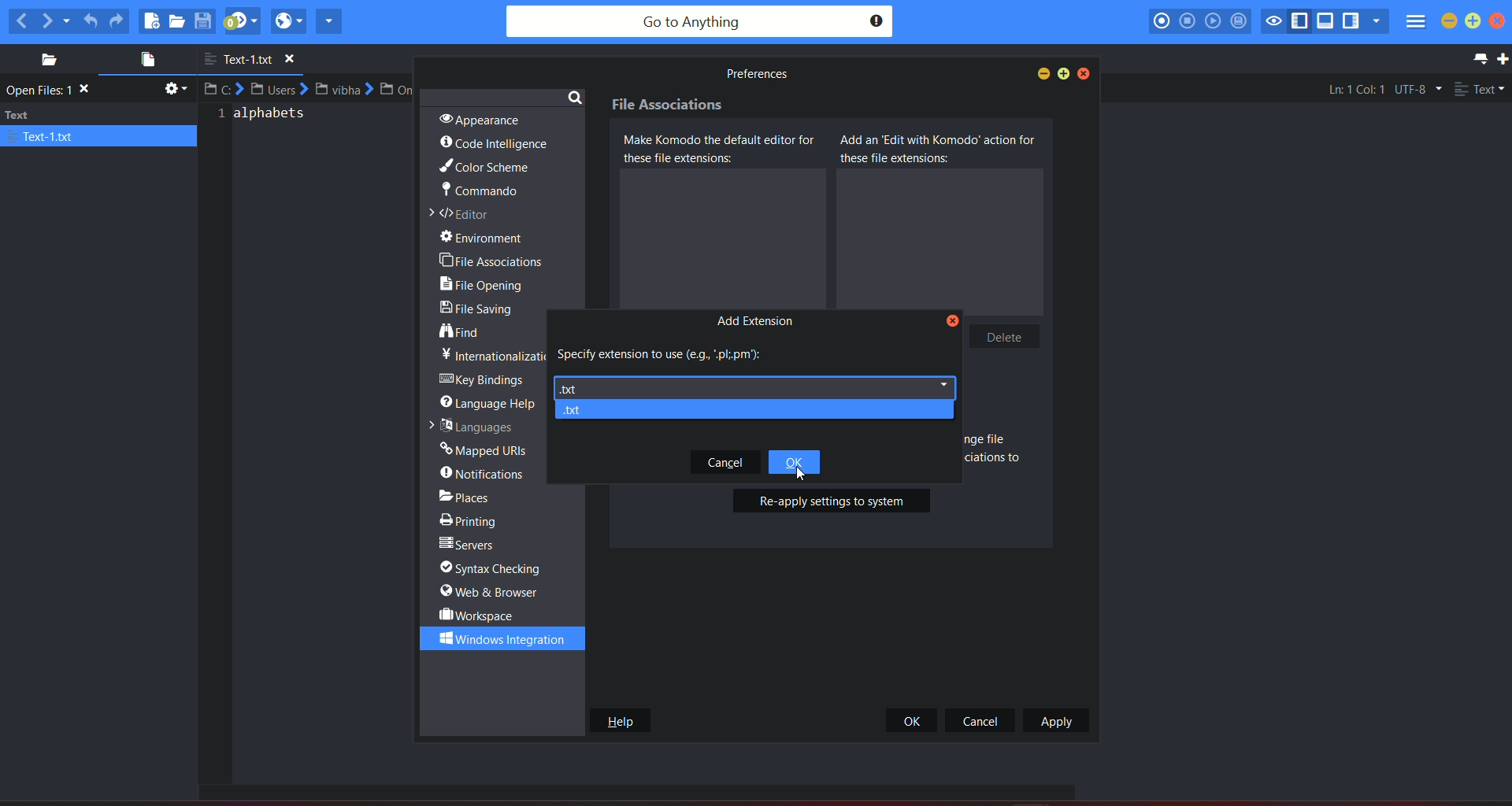  Describe the element at coordinates (469, 545) in the screenshot. I see `servers` at that location.